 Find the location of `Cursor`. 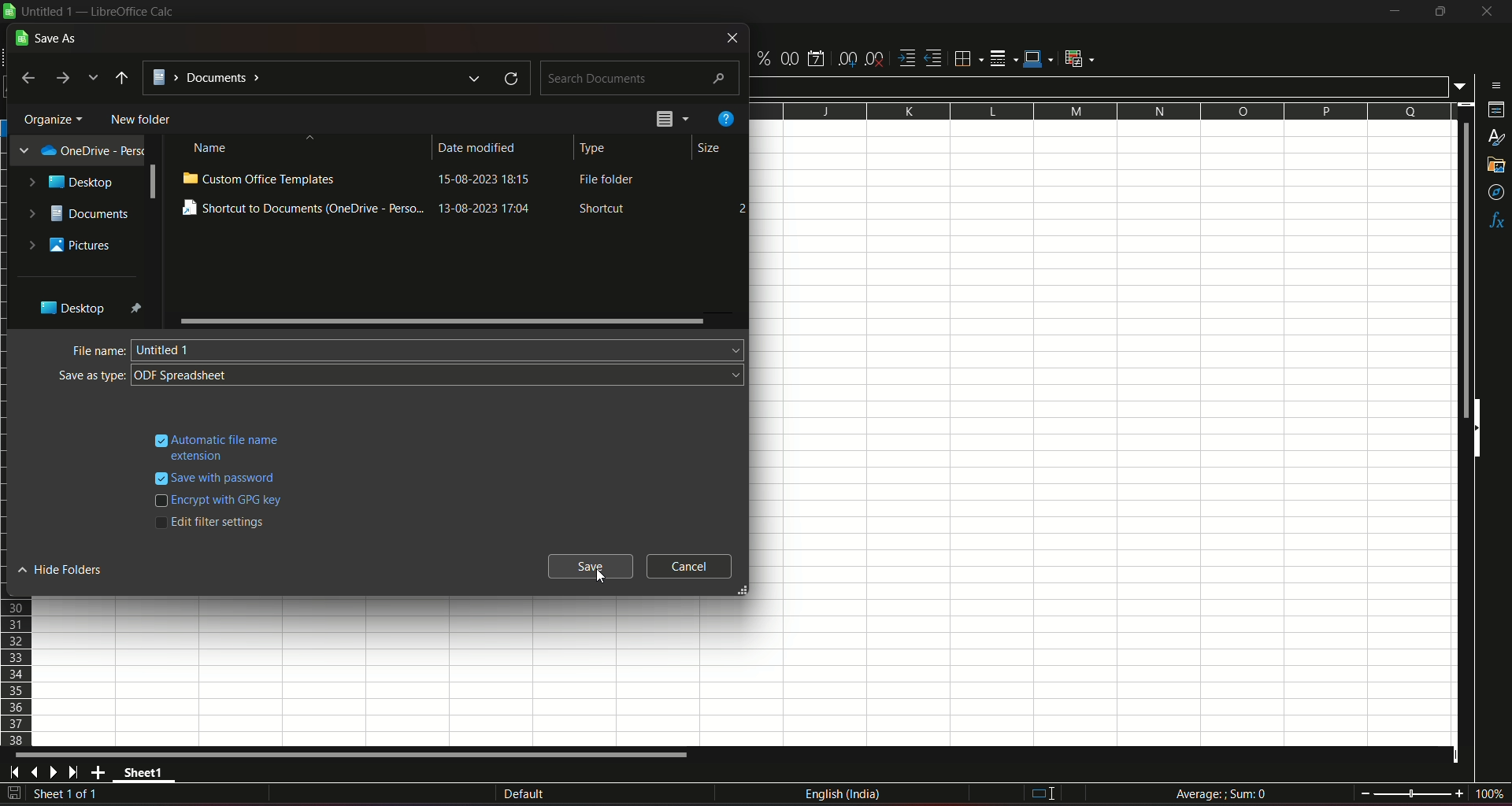

Cursor is located at coordinates (600, 578).